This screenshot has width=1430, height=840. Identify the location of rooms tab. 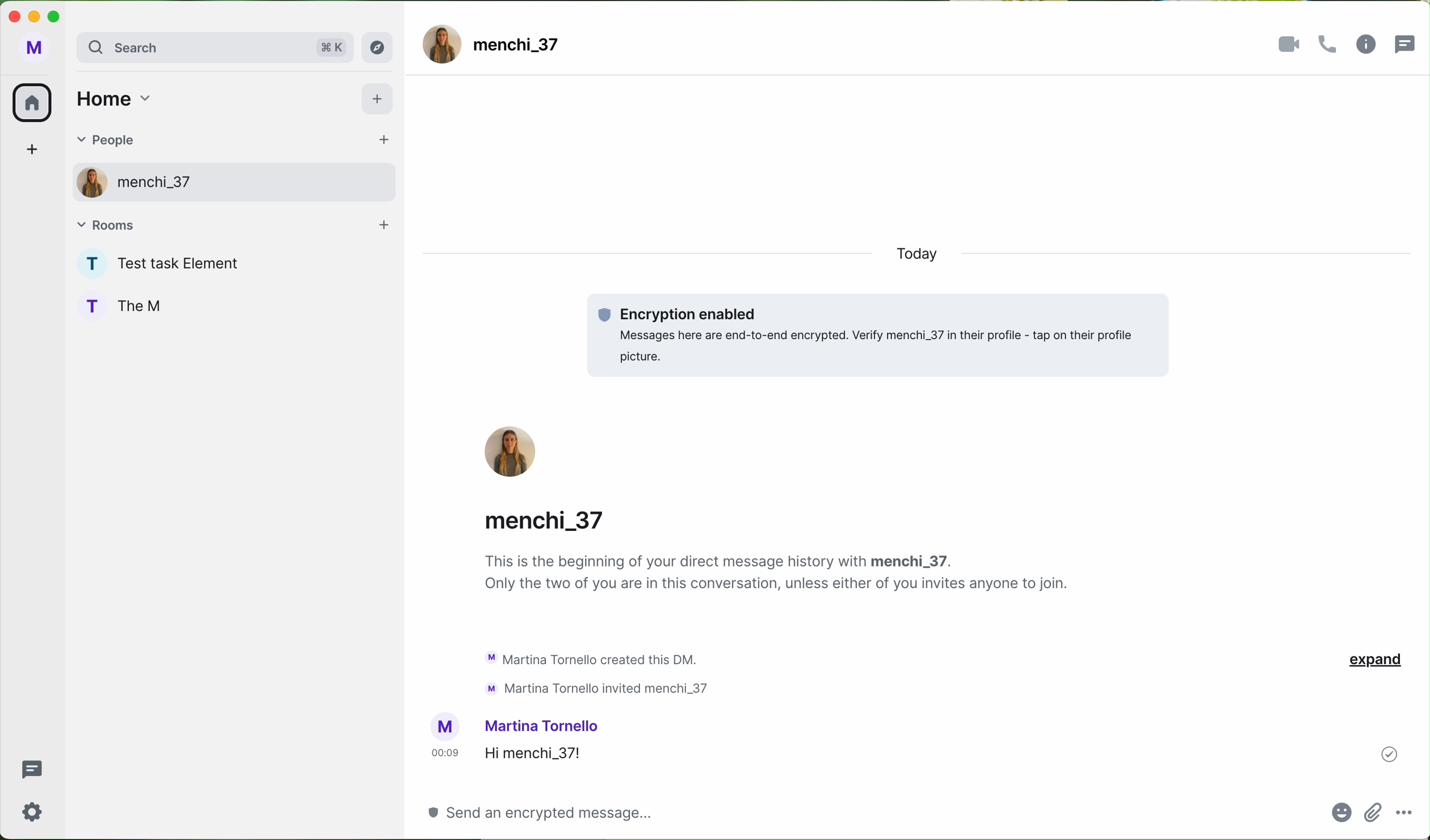
(179, 225).